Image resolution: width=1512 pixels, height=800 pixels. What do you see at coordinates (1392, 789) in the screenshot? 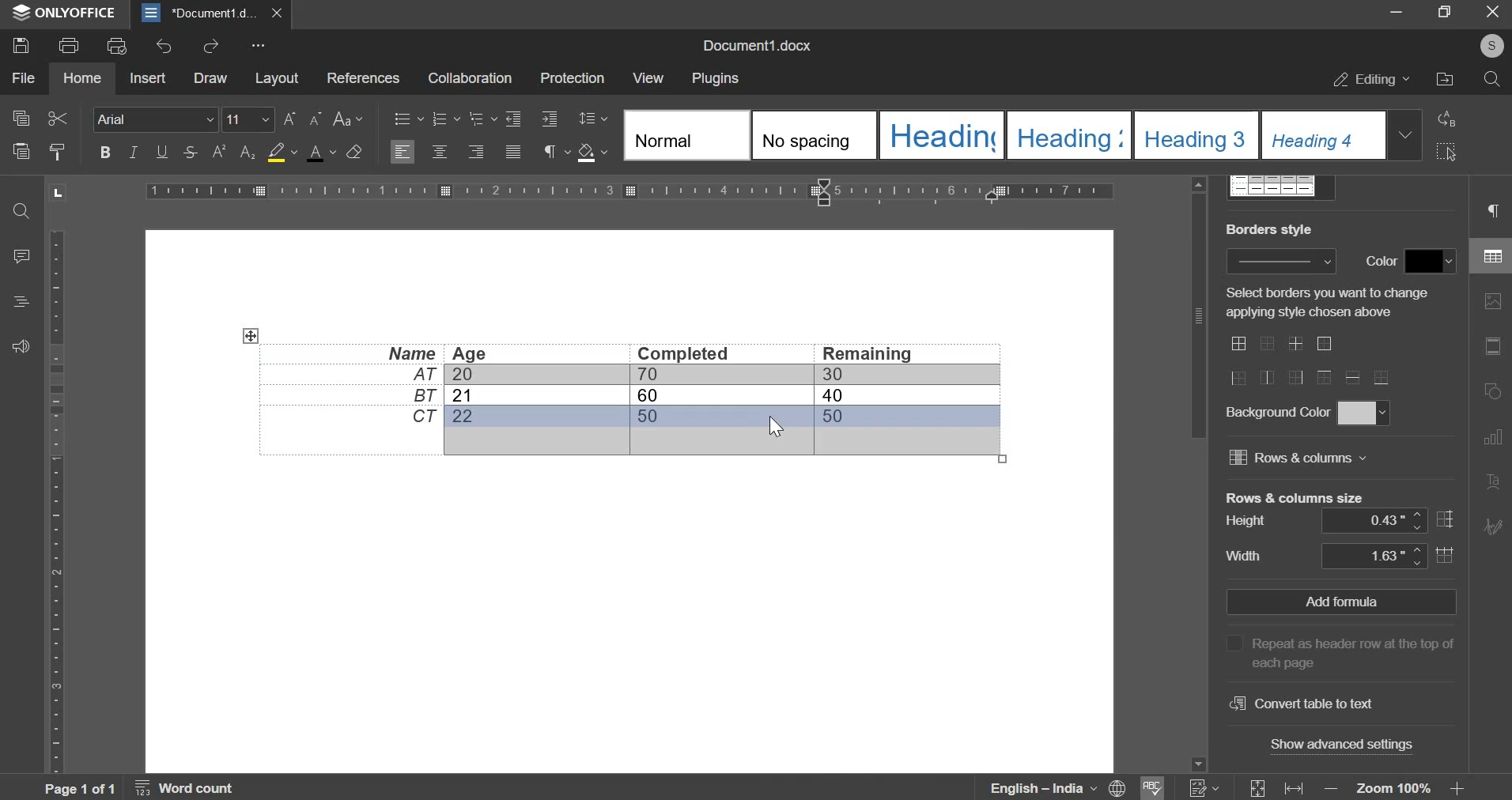
I see `zoom` at bounding box center [1392, 789].